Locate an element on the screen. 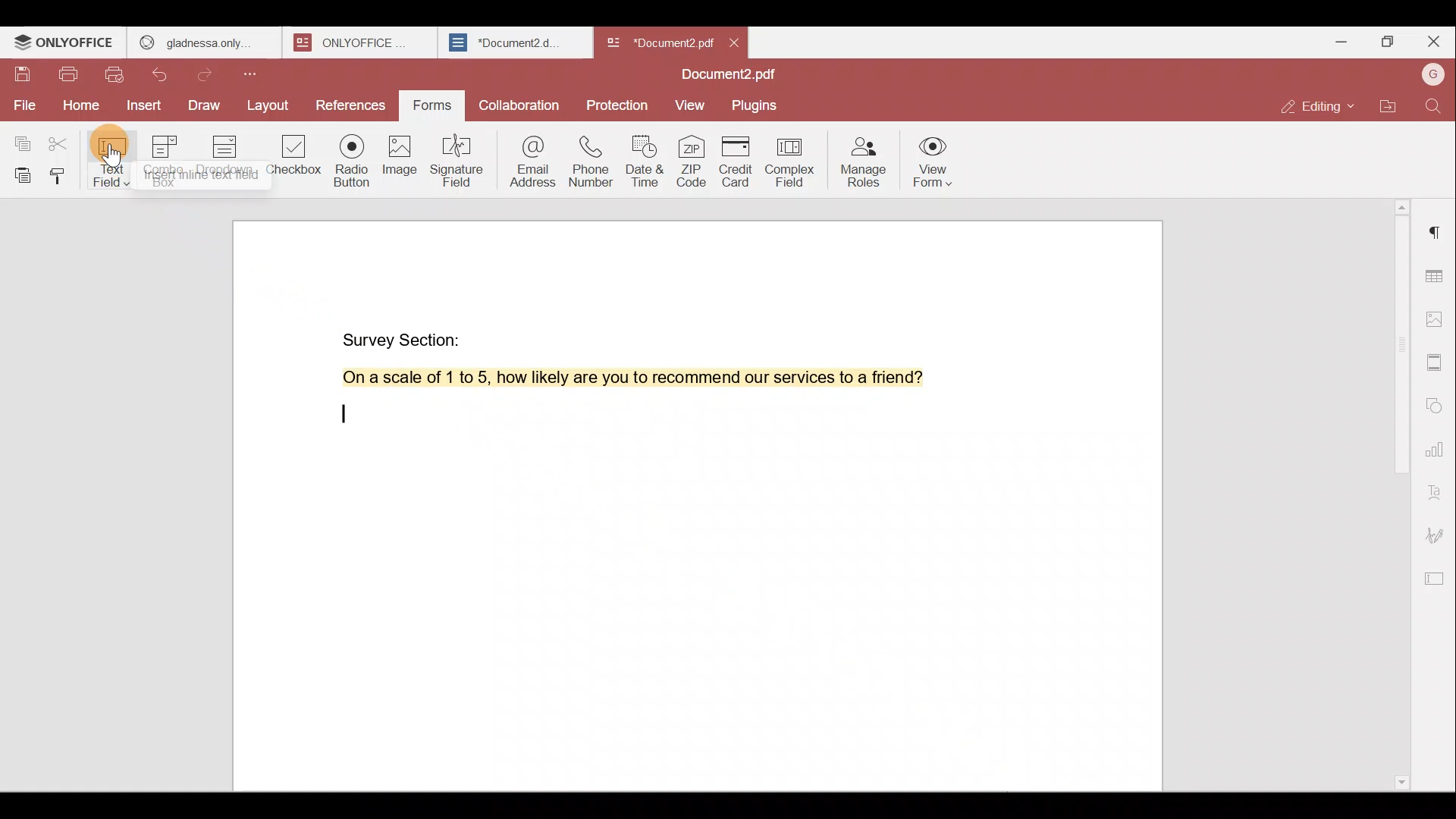 The width and height of the screenshot is (1456, 819). Copy is located at coordinates (21, 137).